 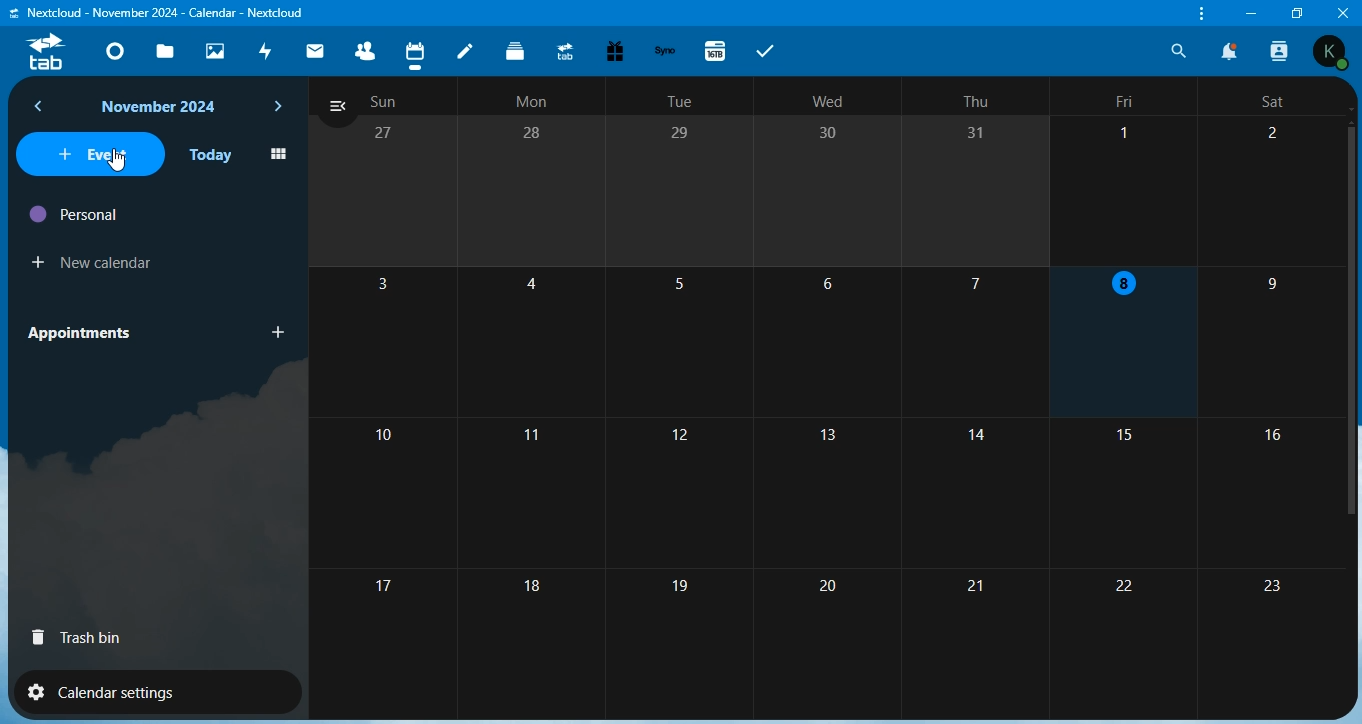 What do you see at coordinates (42, 107) in the screenshot?
I see `back` at bounding box center [42, 107].